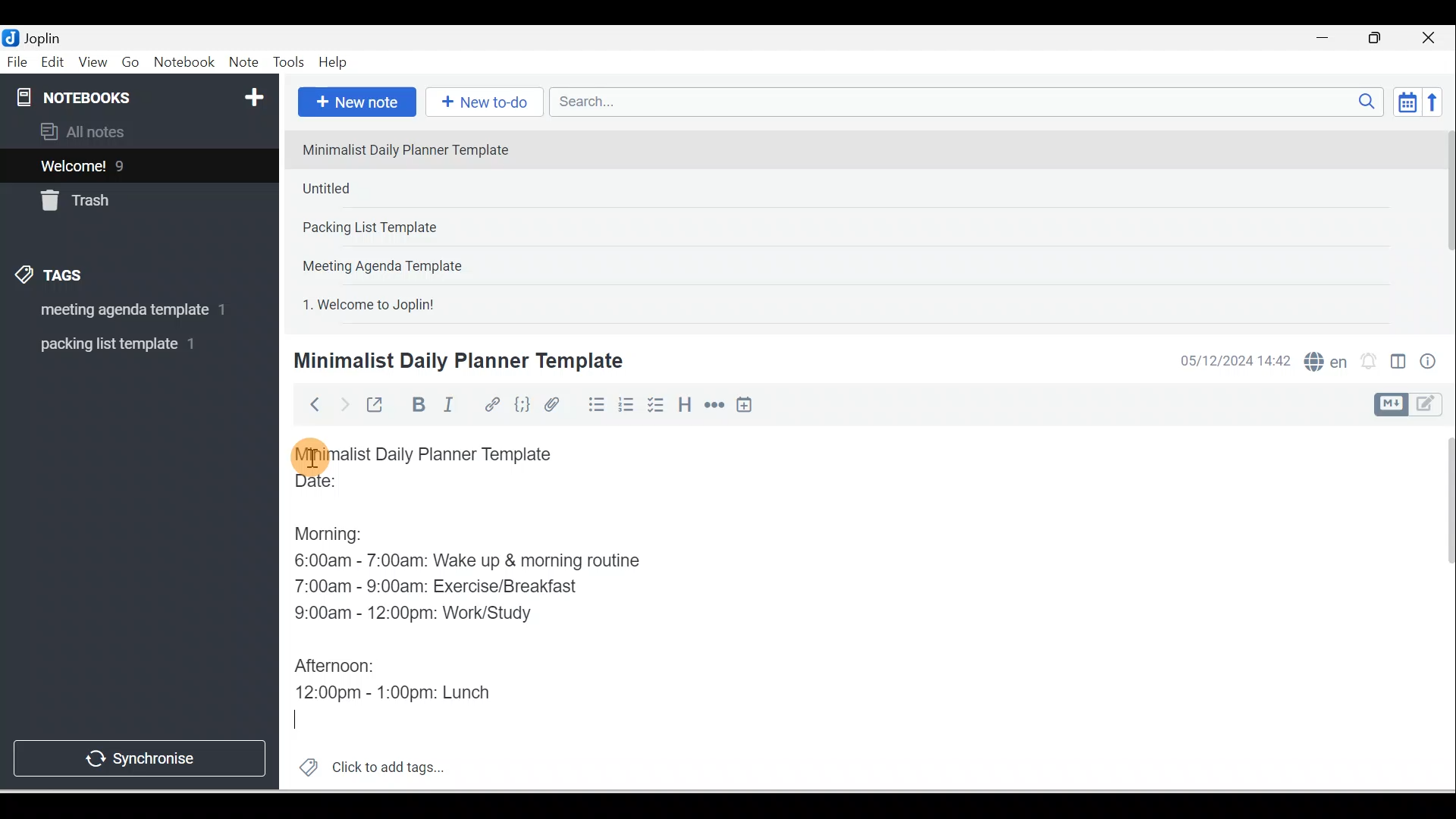 This screenshot has width=1456, height=819. What do you see at coordinates (1407, 101) in the screenshot?
I see `Toggle sort order` at bounding box center [1407, 101].